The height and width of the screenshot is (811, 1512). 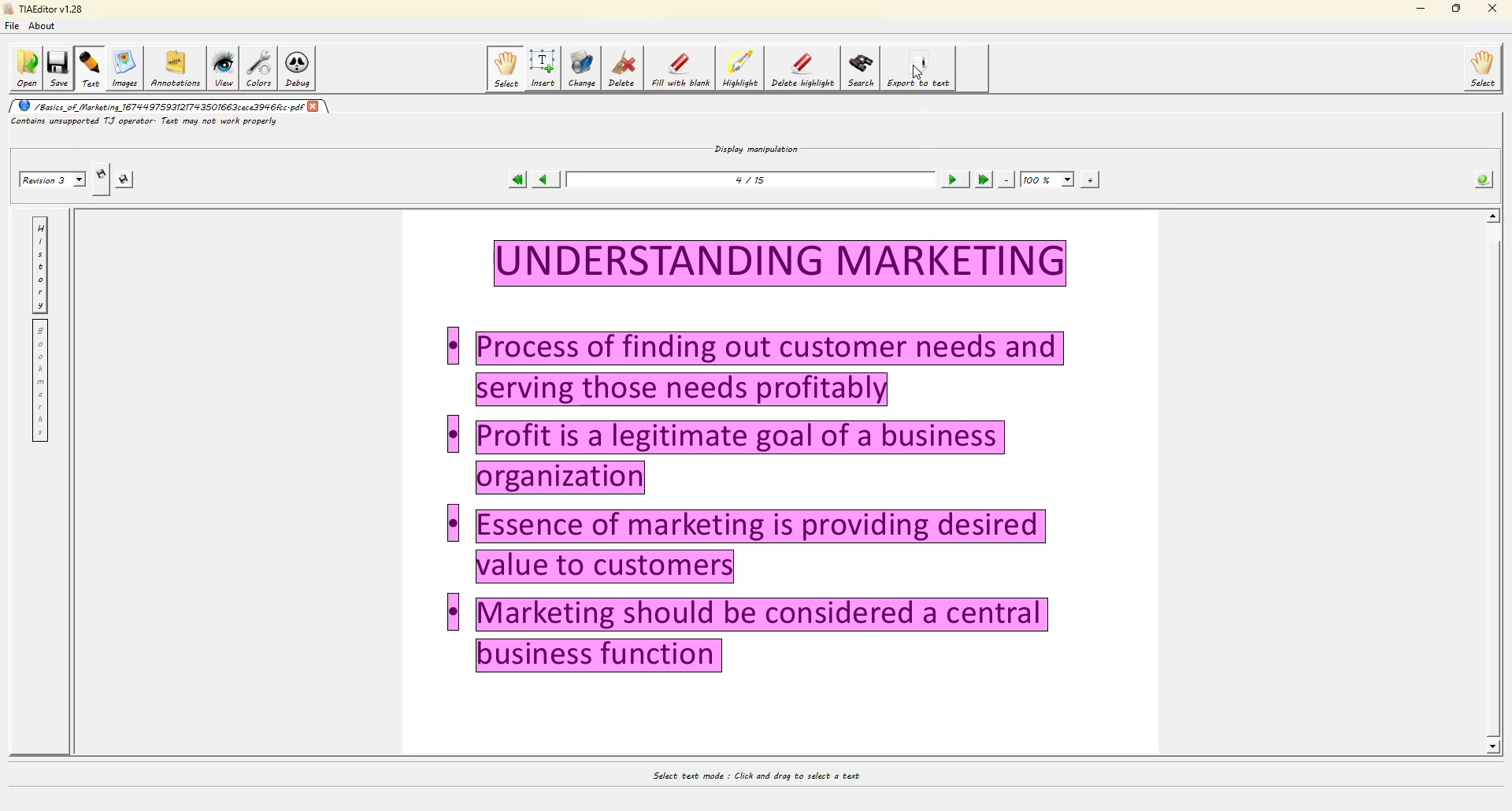 I want to click on display manipulation, so click(x=754, y=146).